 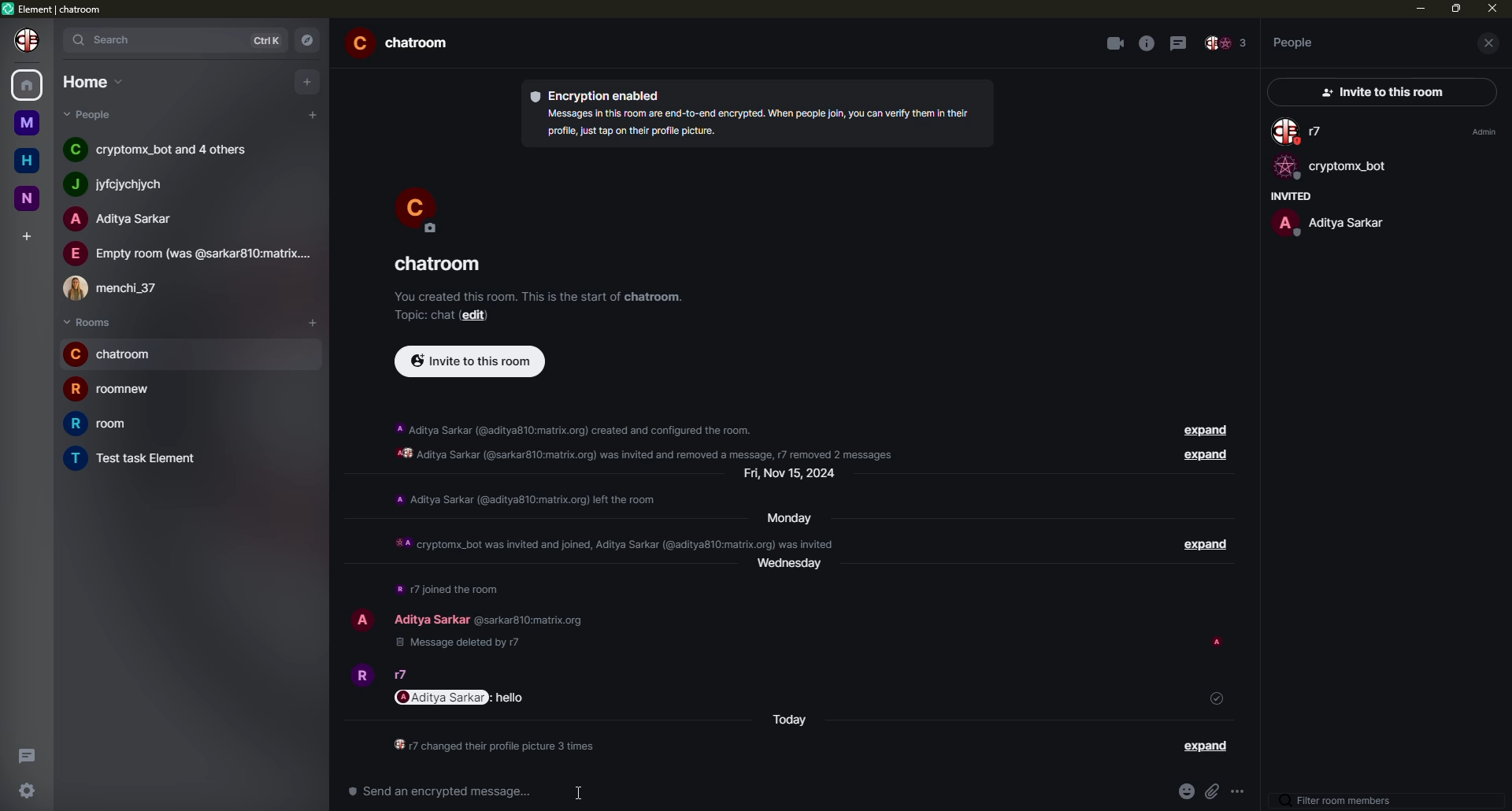 What do you see at coordinates (29, 161) in the screenshot?
I see `home` at bounding box center [29, 161].